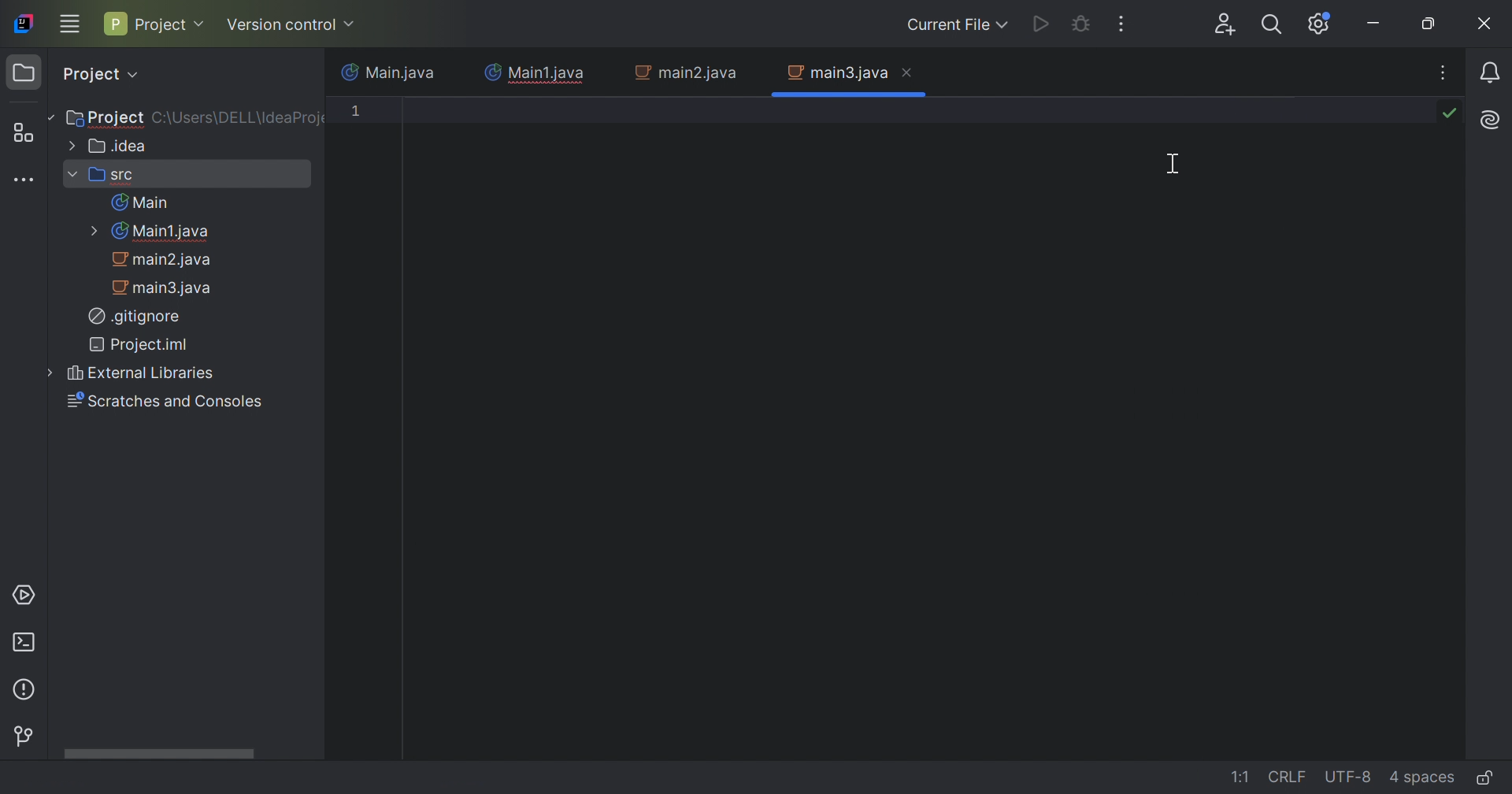  Describe the element at coordinates (24, 737) in the screenshot. I see `Version Control` at that location.